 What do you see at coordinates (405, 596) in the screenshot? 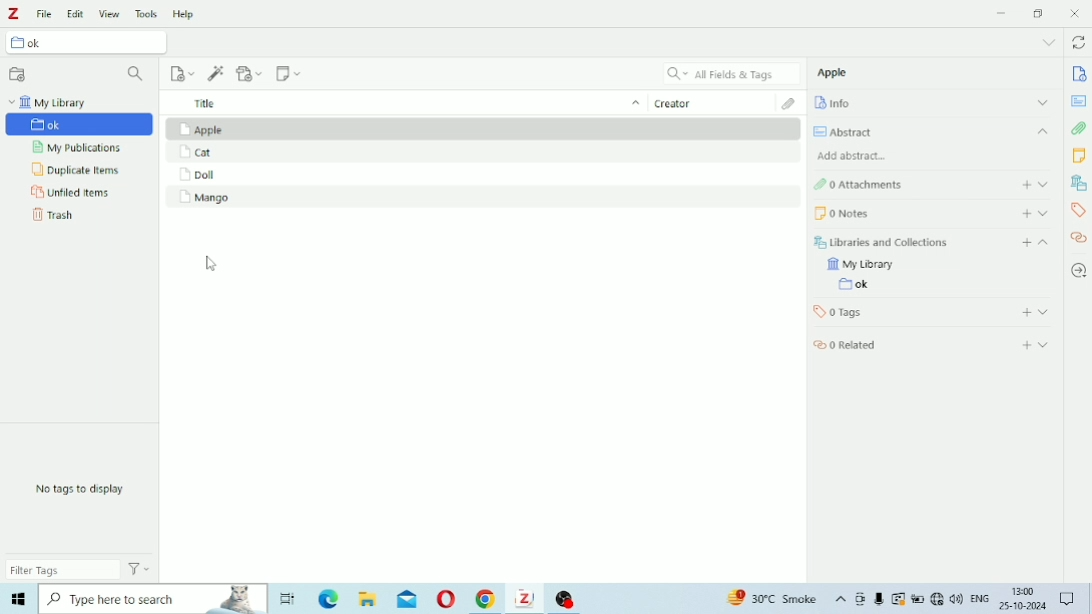
I see `` at bounding box center [405, 596].